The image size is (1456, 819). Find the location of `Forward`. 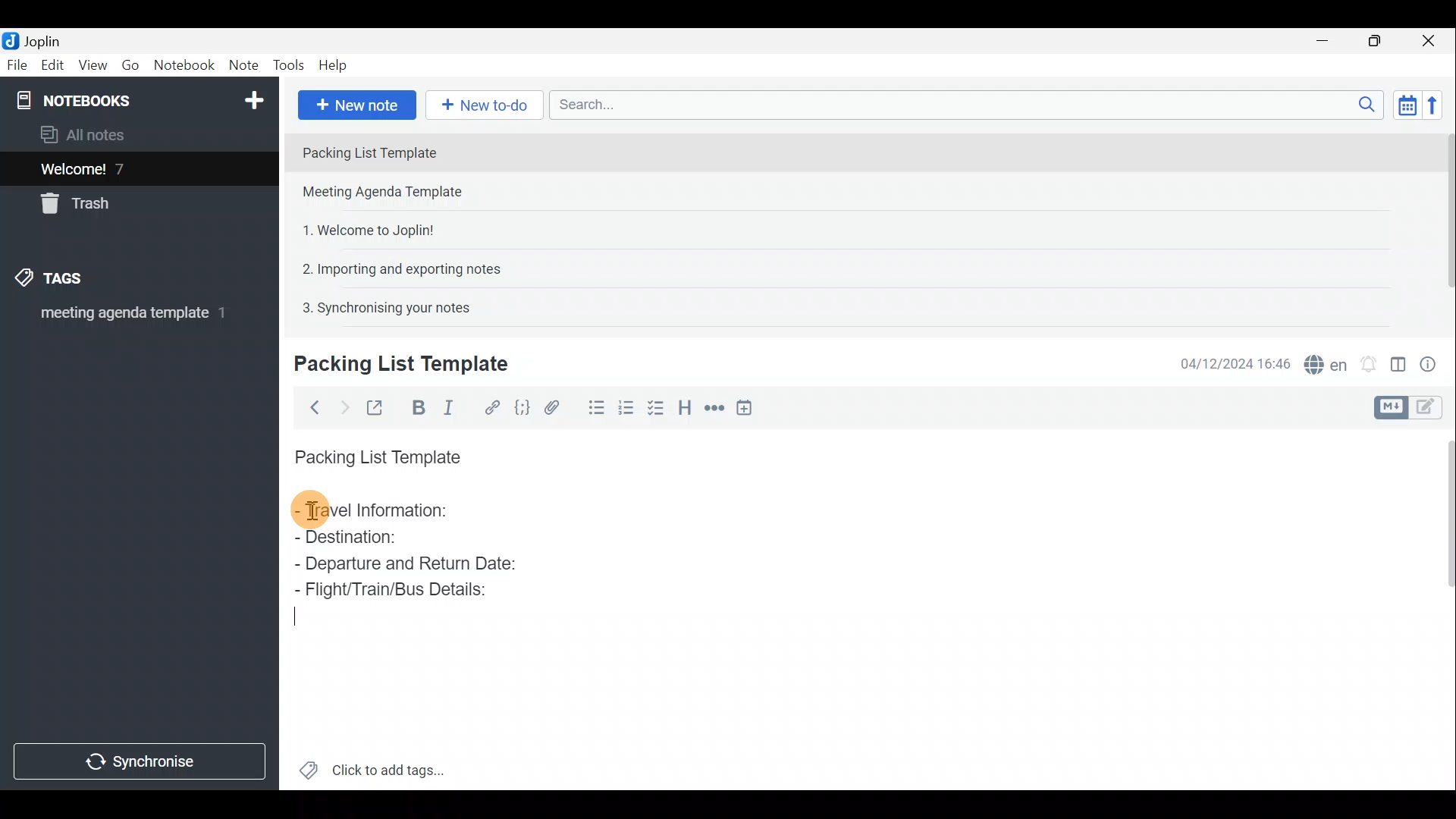

Forward is located at coordinates (341, 406).